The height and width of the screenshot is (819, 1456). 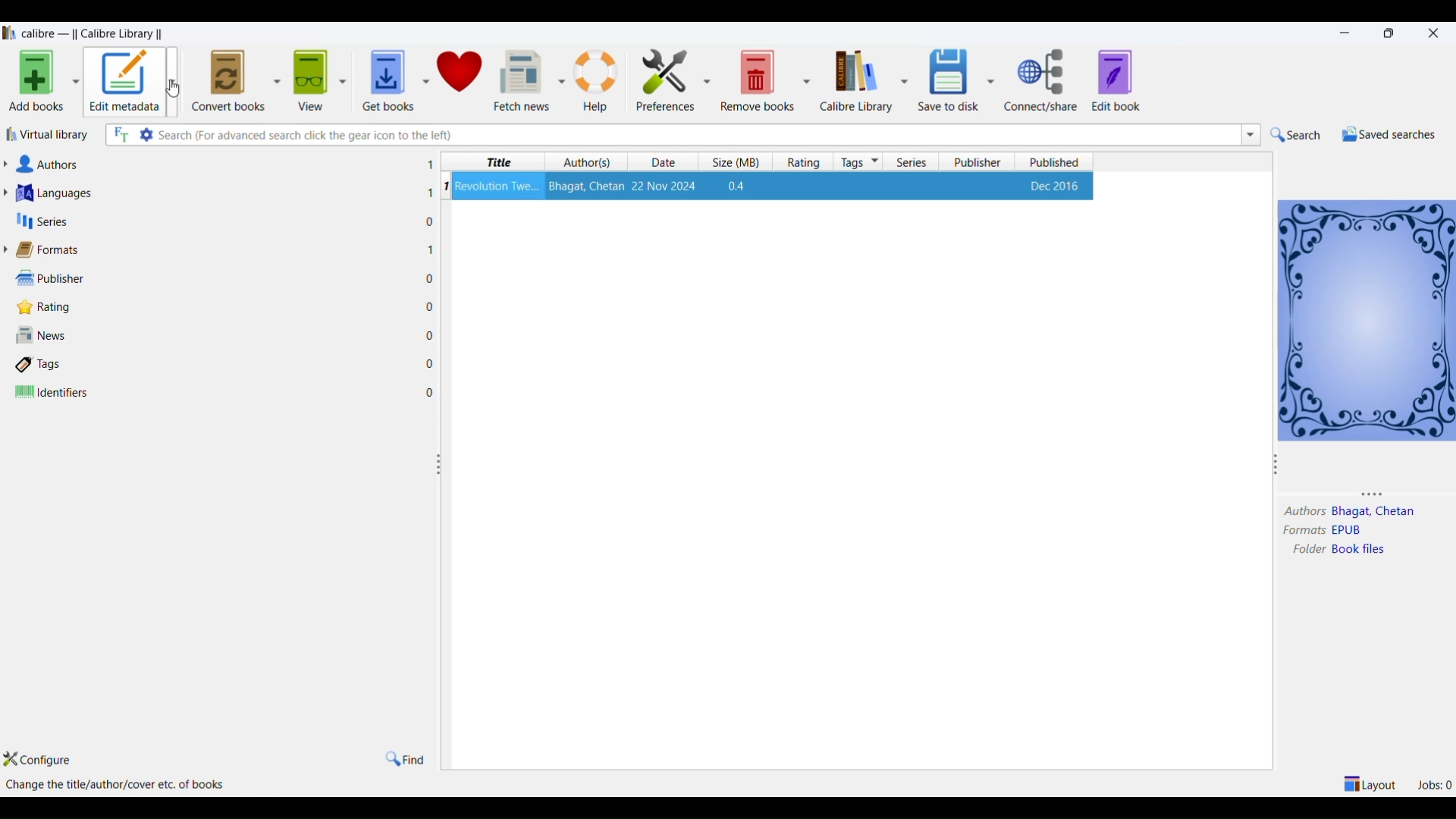 What do you see at coordinates (56, 251) in the screenshot?
I see `formats and number of formats` at bounding box center [56, 251].